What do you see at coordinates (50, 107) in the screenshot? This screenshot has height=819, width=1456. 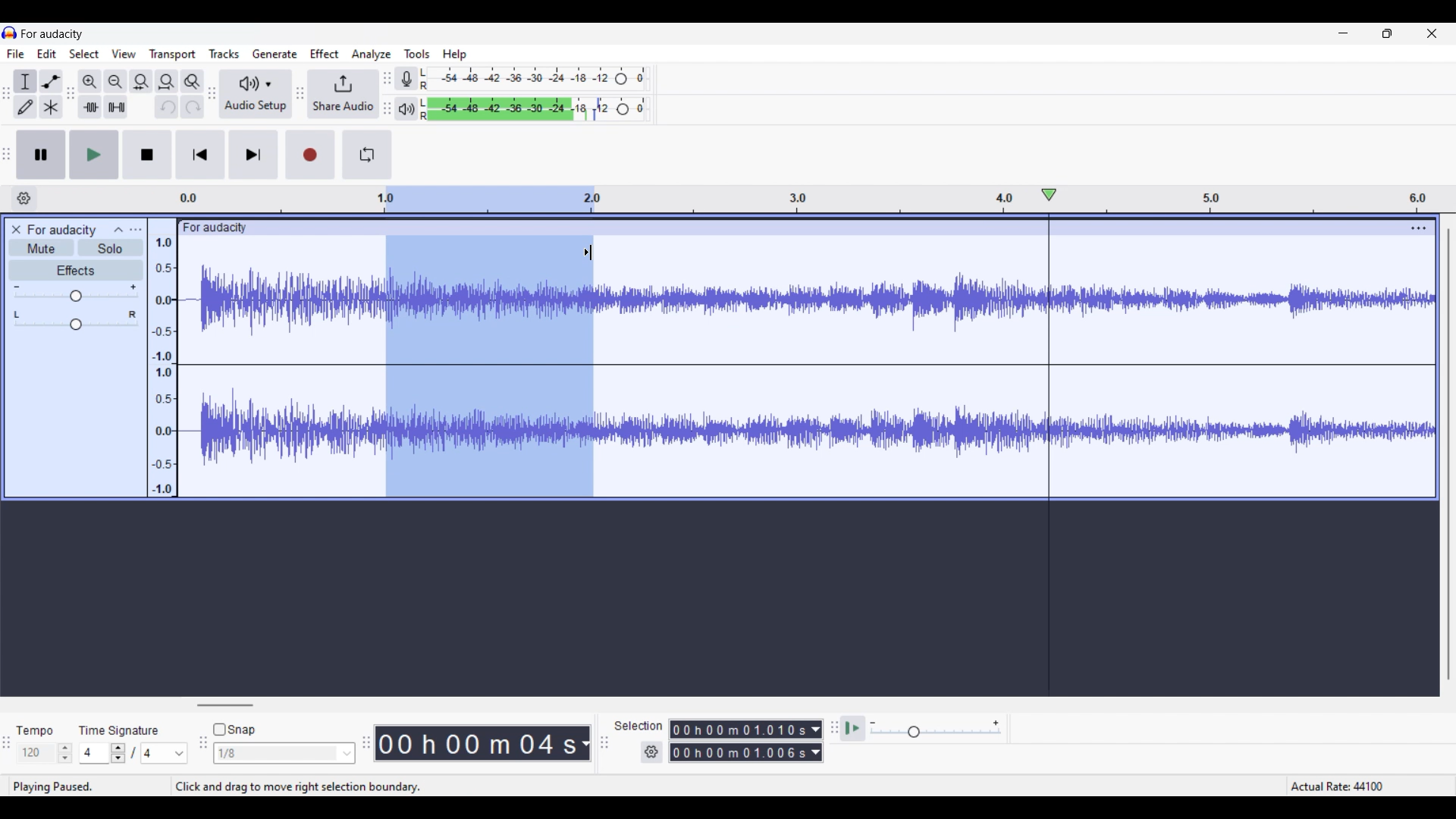 I see `Multi-tool` at bounding box center [50, 107].